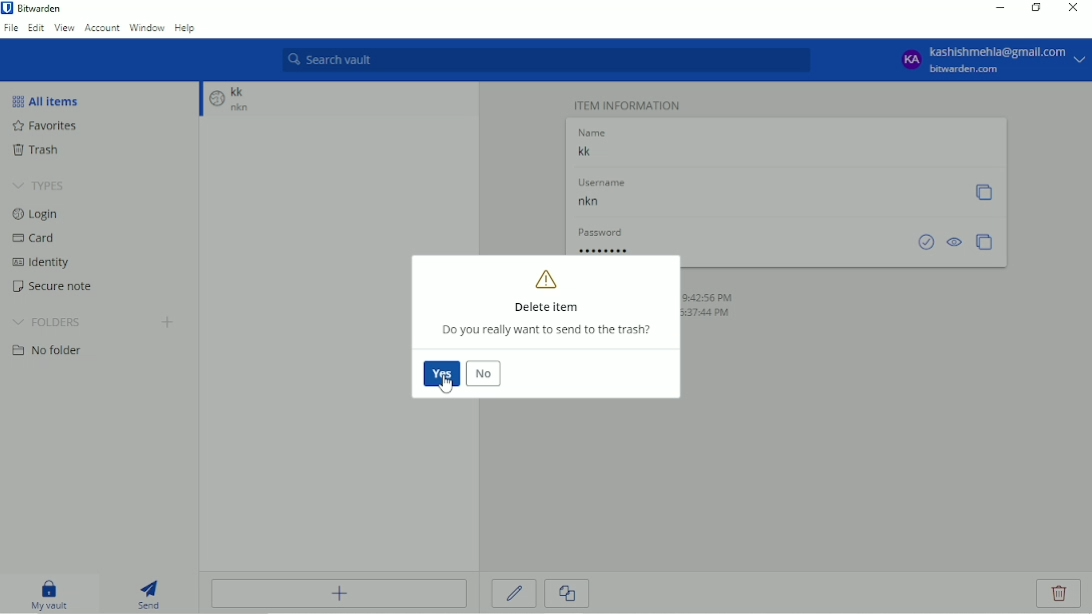  Describe the element at coordinates (38, 150) in the screenshot. I see `Trash` at that location.